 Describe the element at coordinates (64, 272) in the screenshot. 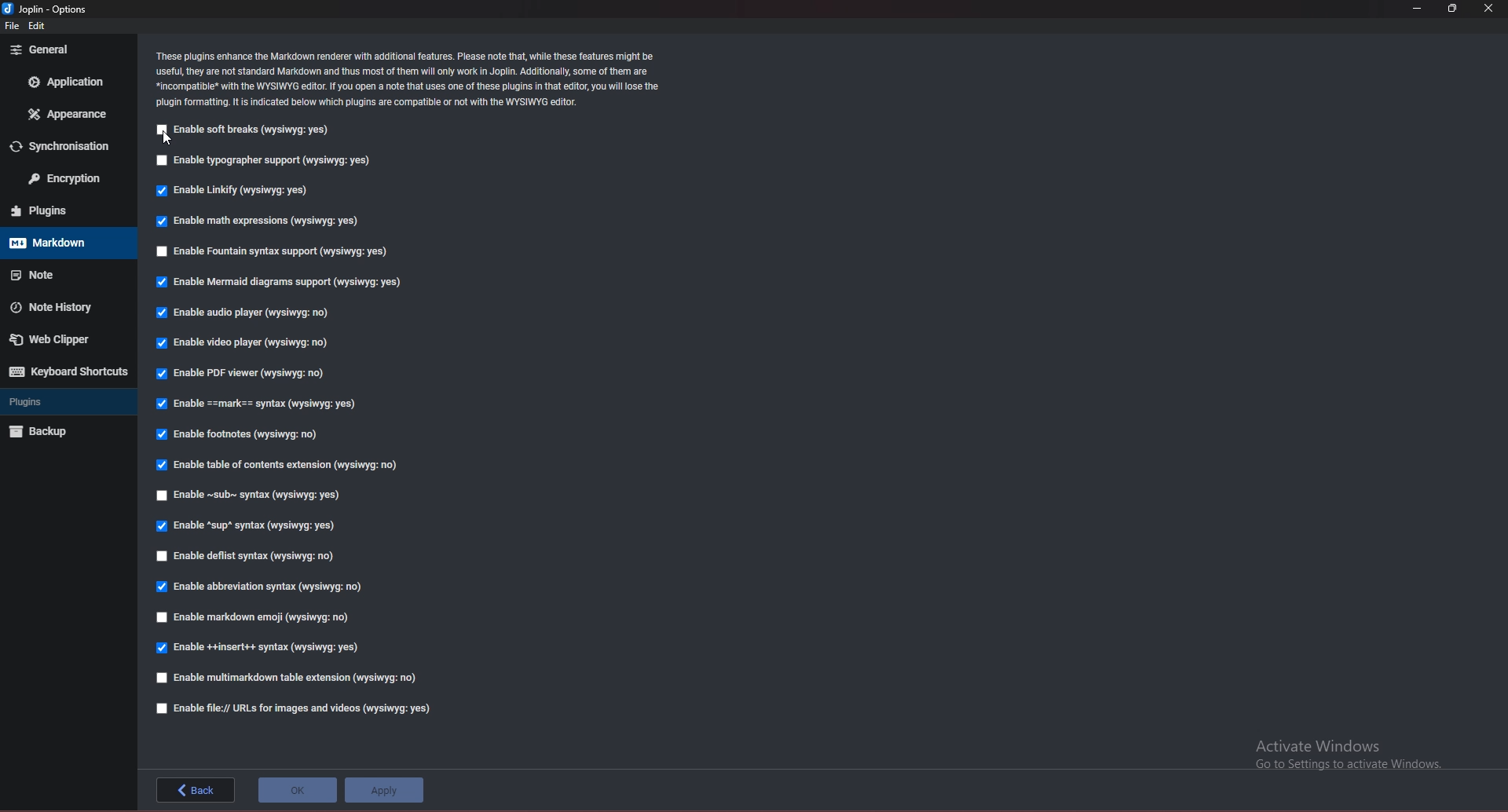

I see `note` at that location.